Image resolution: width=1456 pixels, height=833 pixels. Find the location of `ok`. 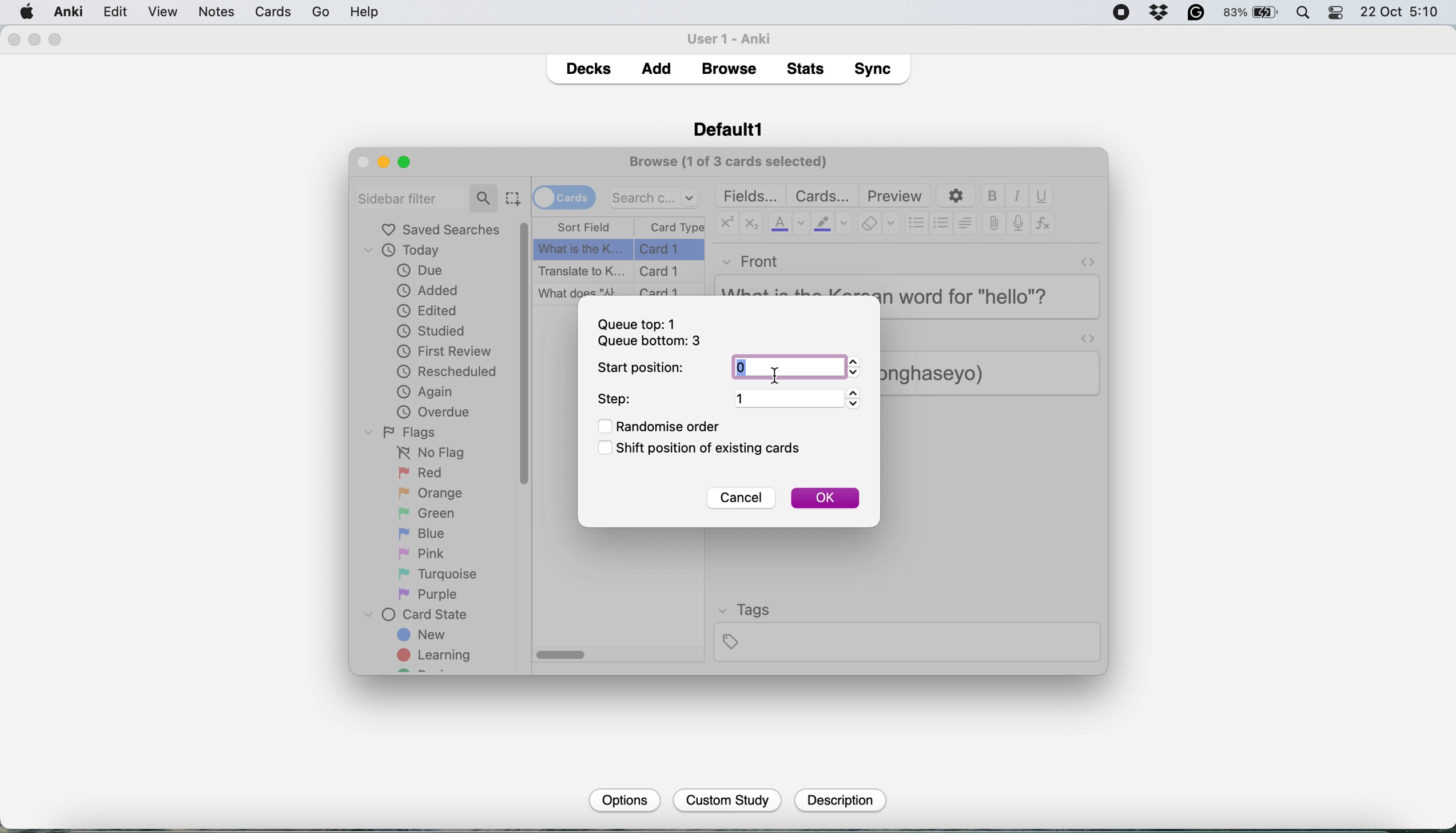

ok is located at coordinates (825, 498).